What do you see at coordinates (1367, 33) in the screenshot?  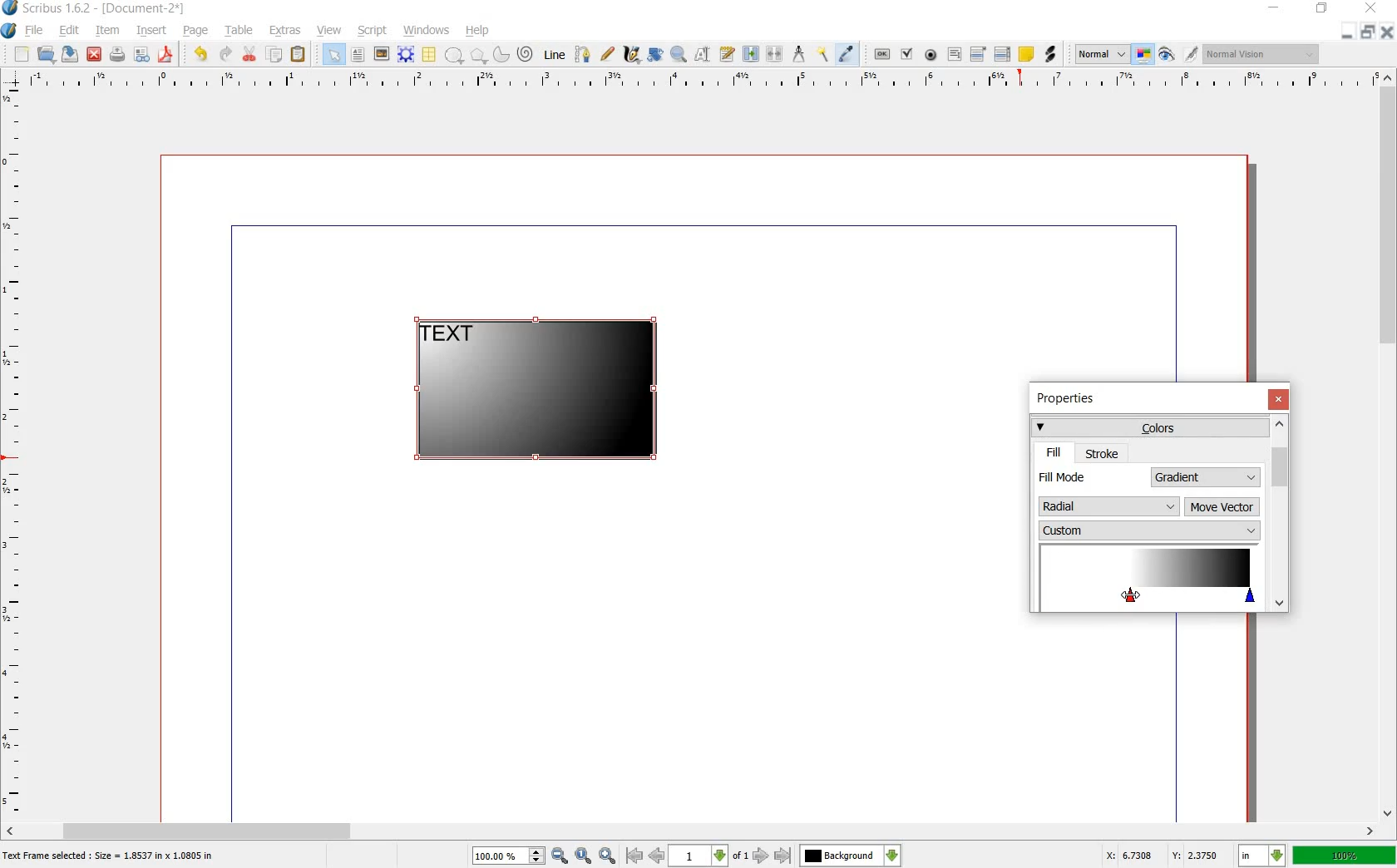 I see `restore` at bounding box center [1367, 33].